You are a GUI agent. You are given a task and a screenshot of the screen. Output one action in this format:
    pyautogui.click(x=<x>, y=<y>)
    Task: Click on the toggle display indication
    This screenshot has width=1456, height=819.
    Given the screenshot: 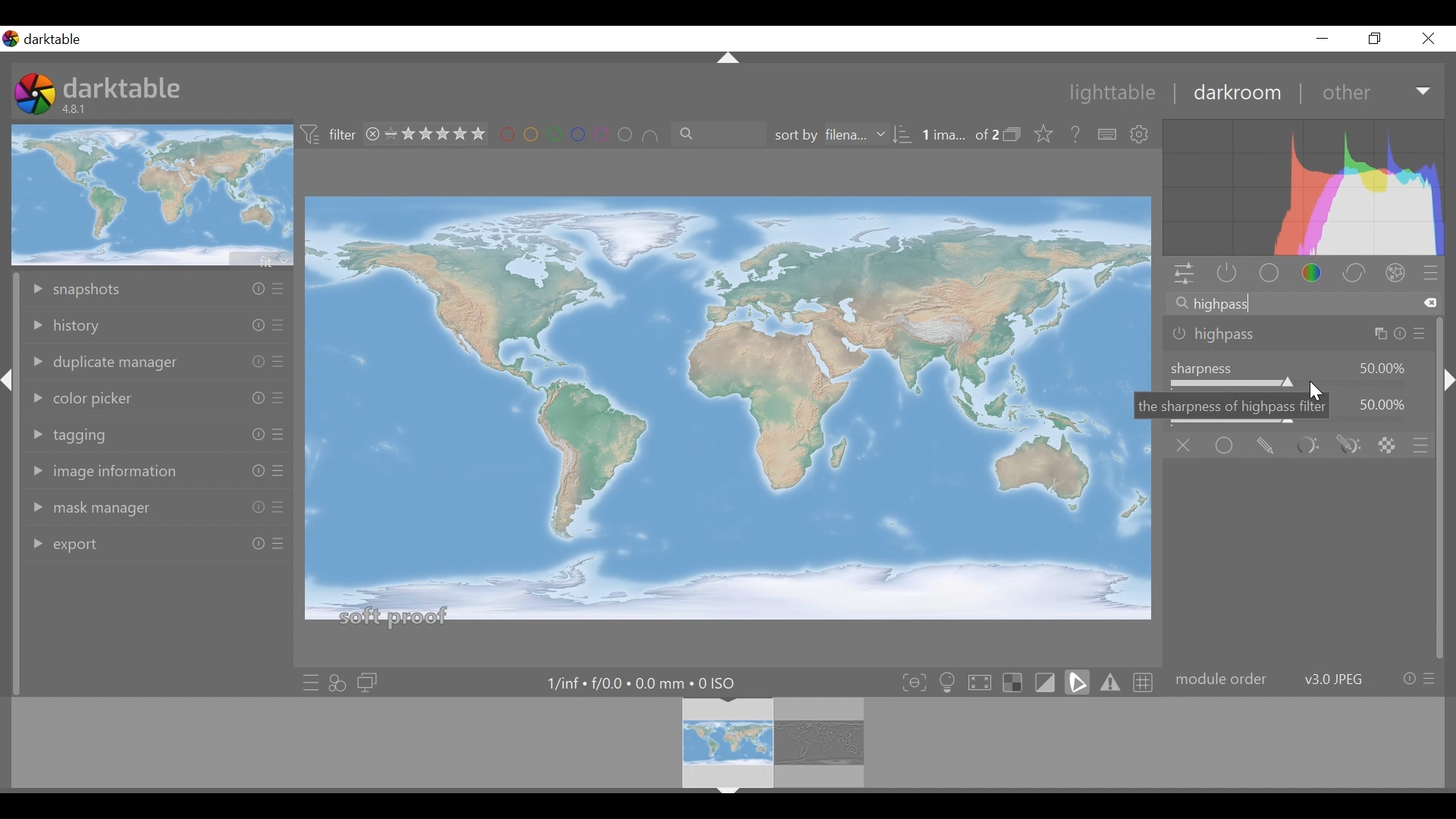 What is the action you would take?
    pyautogui.click(x=1048, y=682)
    